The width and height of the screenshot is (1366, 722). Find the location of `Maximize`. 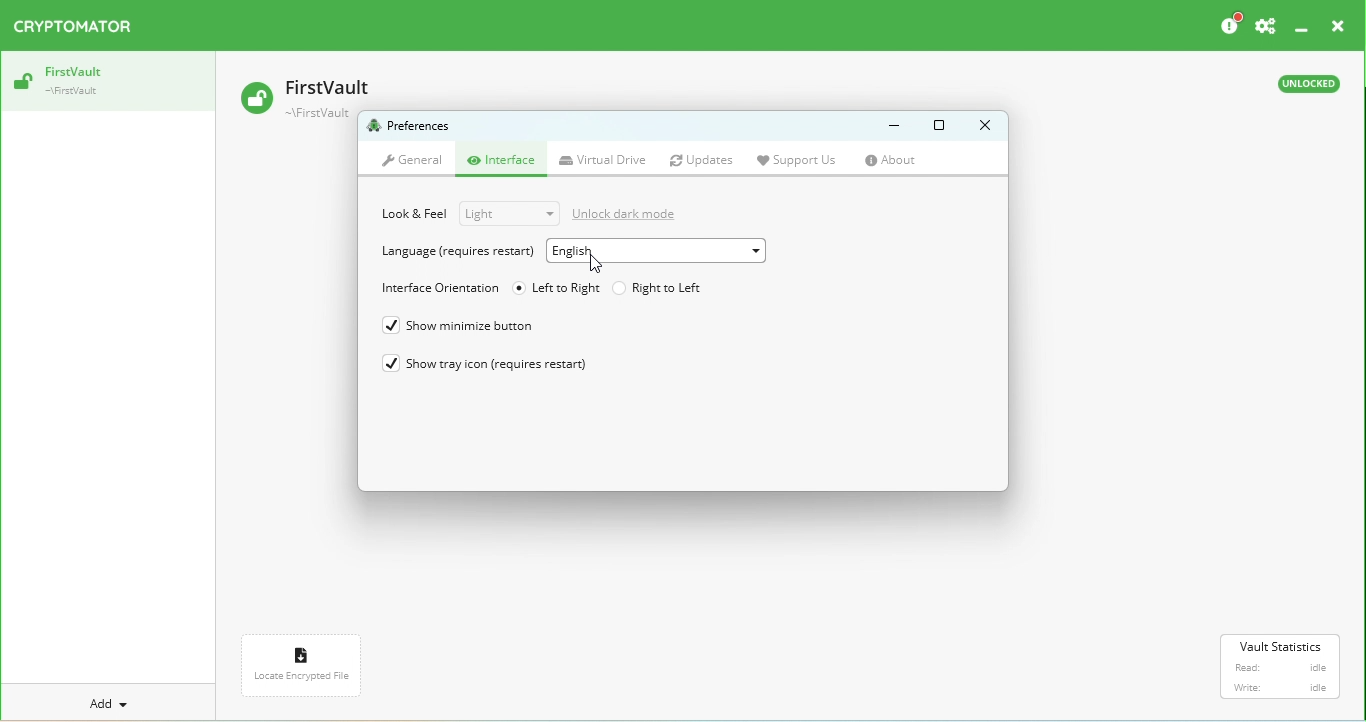

Maximize is located at coordinates (939, 126).